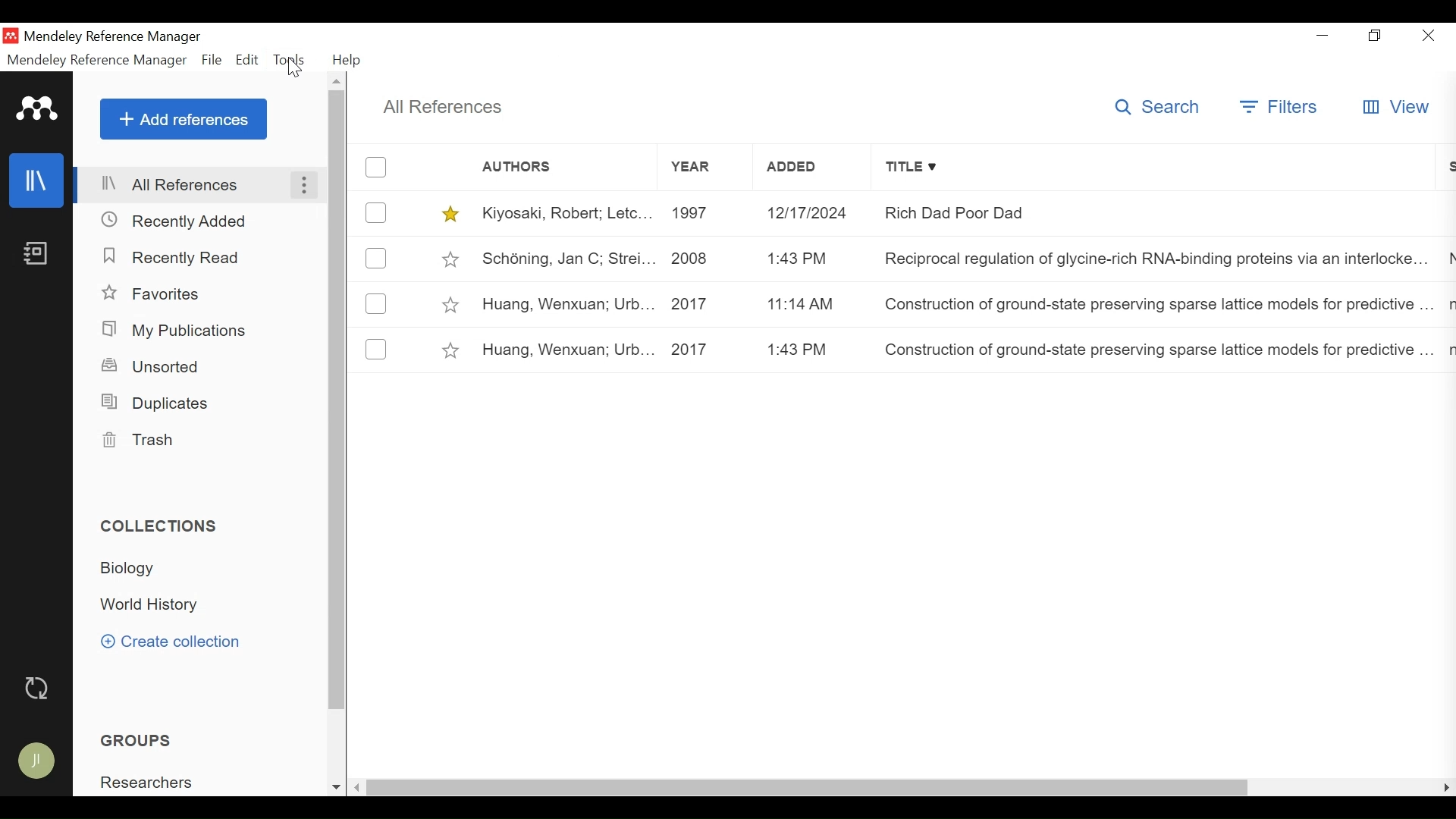 The height and width of the screenshot is (819, 1456). What do you see at coordinates (708, 259) in the screenshot?
I see `2008` at bounding box center [708, 259].